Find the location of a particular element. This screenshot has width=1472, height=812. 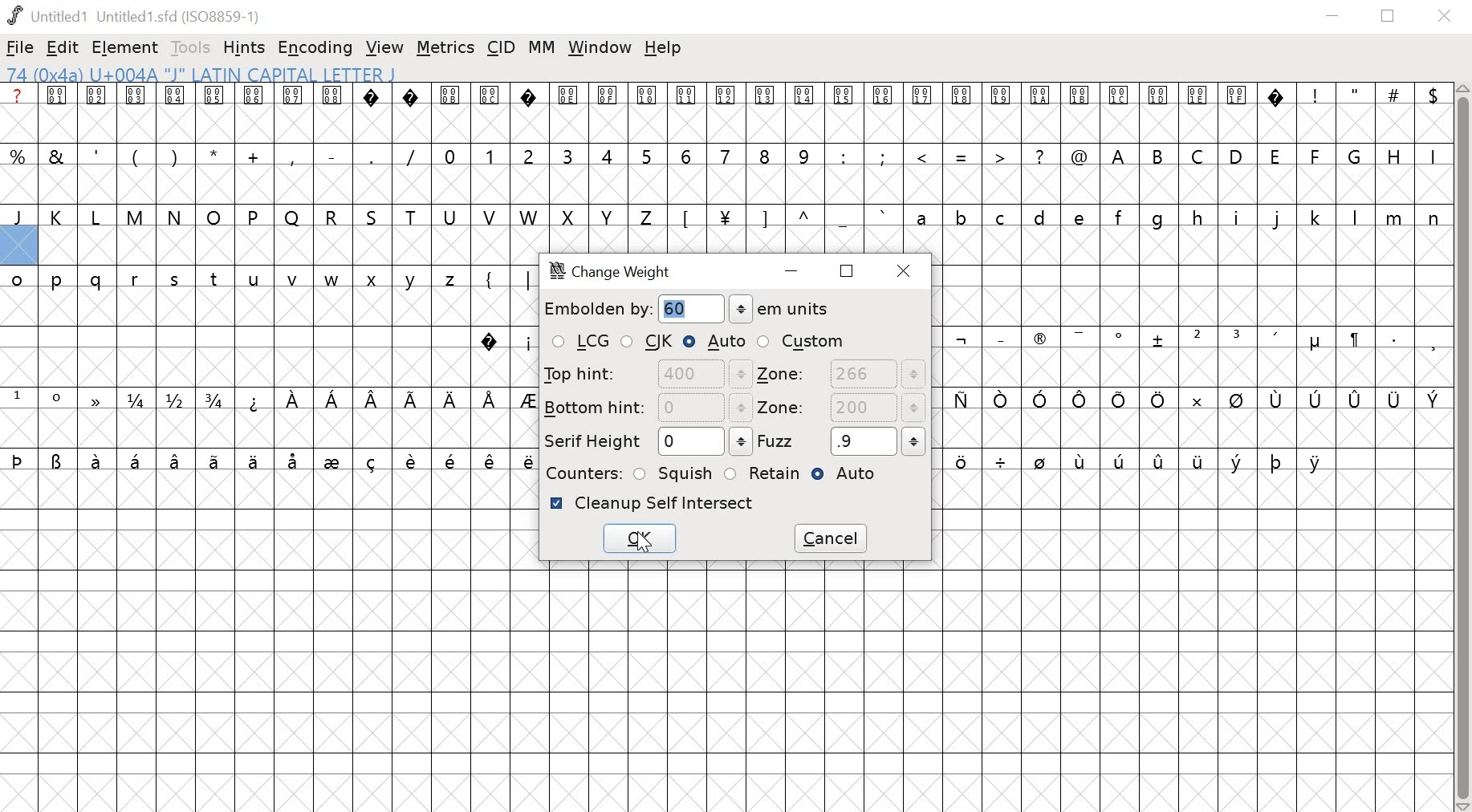

Cursor is located at coordinates (645, 541).